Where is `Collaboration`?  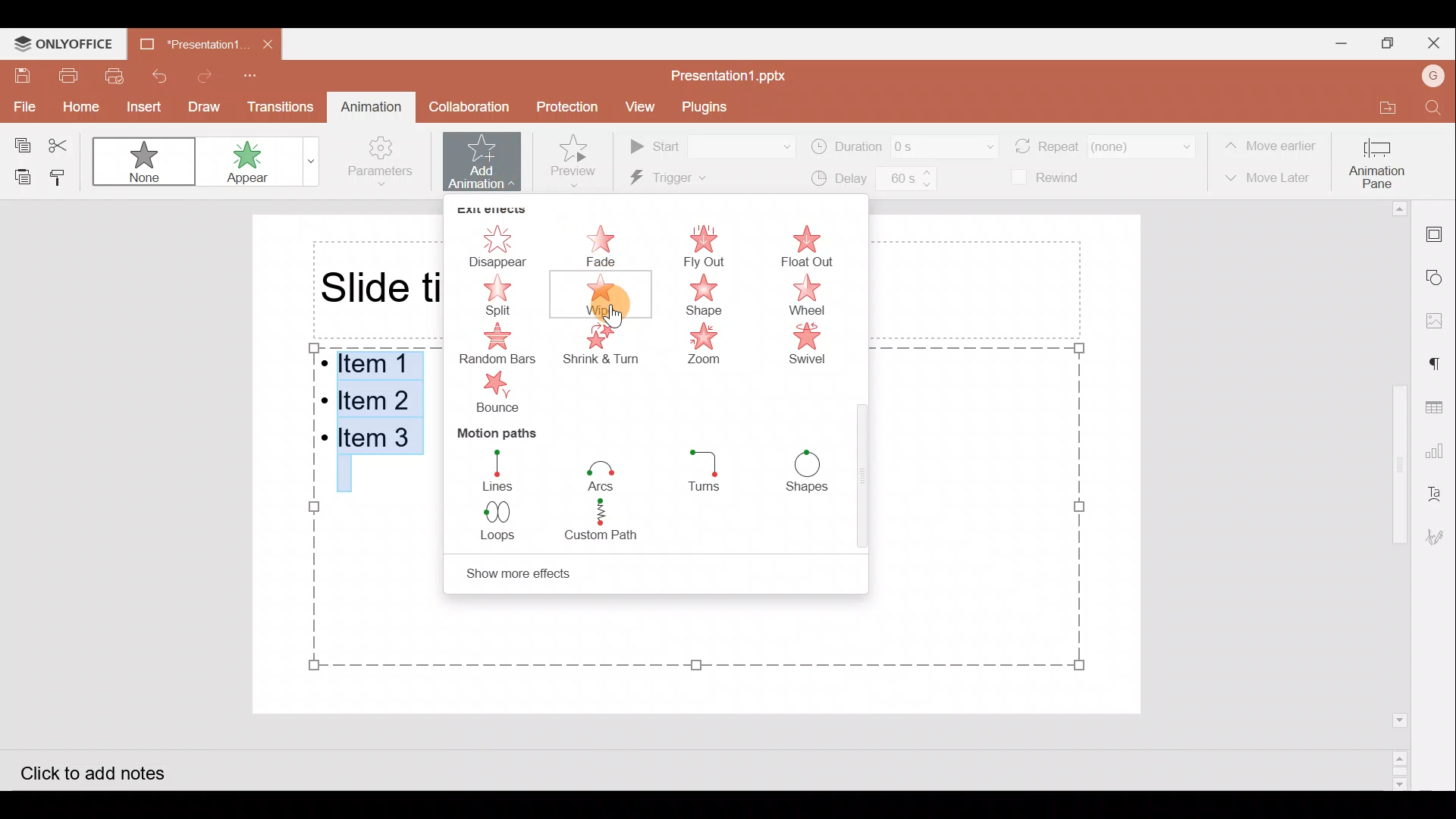
Collaboration is located at coordinates (470, 106).